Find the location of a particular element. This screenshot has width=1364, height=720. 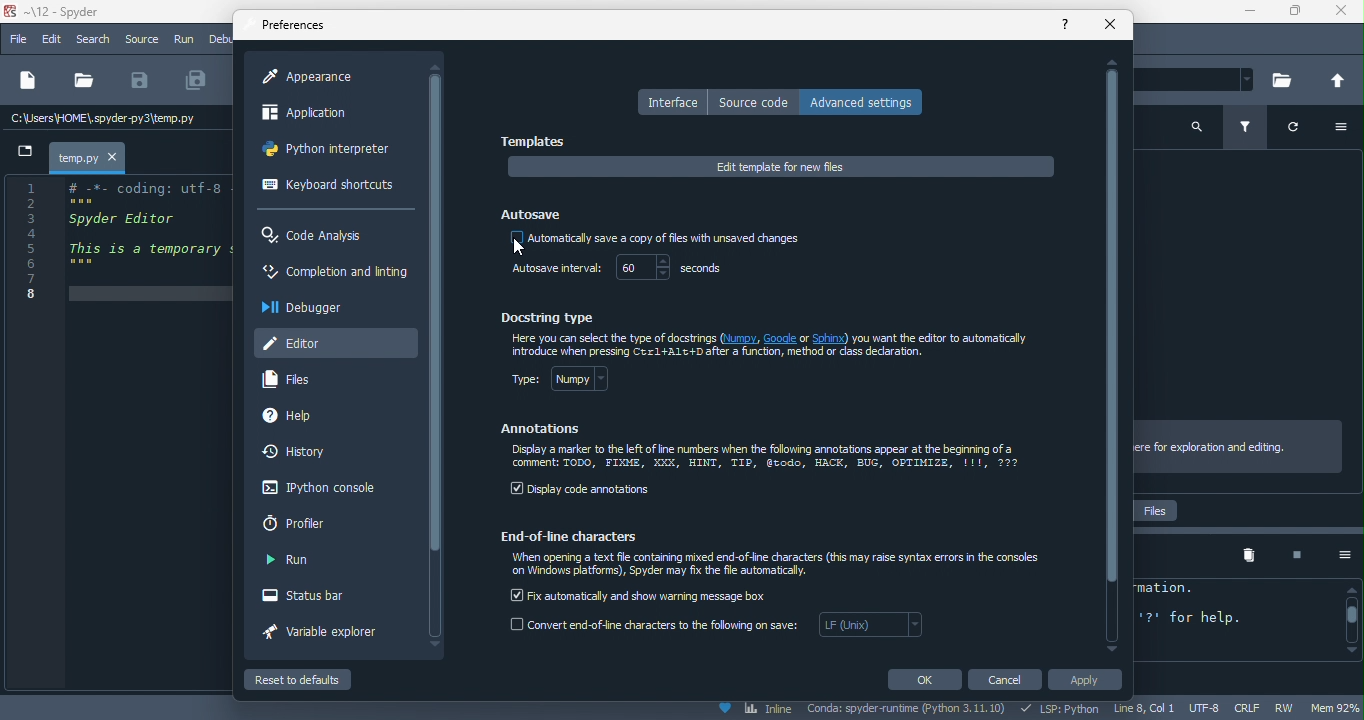

refresh is located at coordinates (1302, 131).